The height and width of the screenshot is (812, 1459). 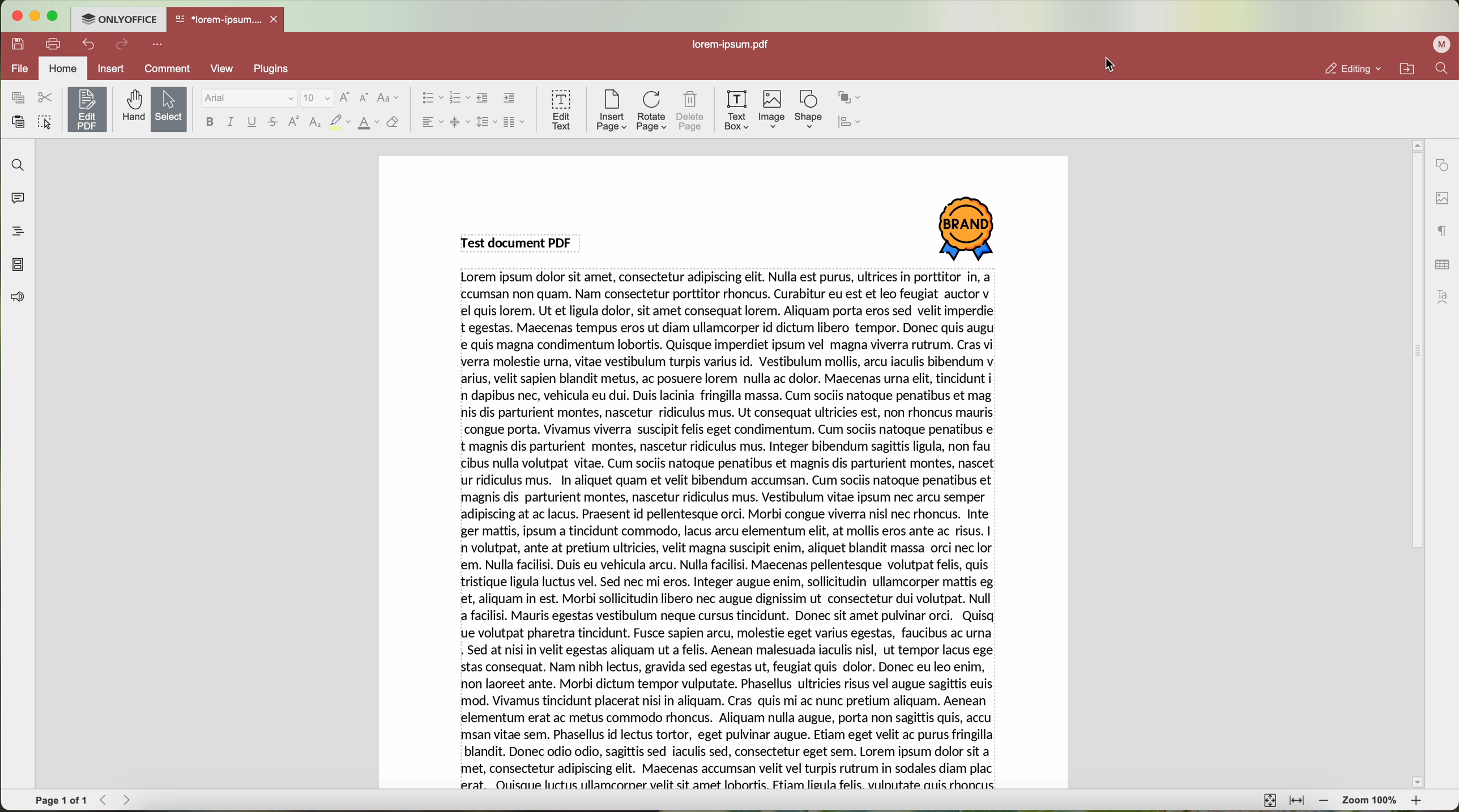 I want to click on shape, so click(x=809, y=110).